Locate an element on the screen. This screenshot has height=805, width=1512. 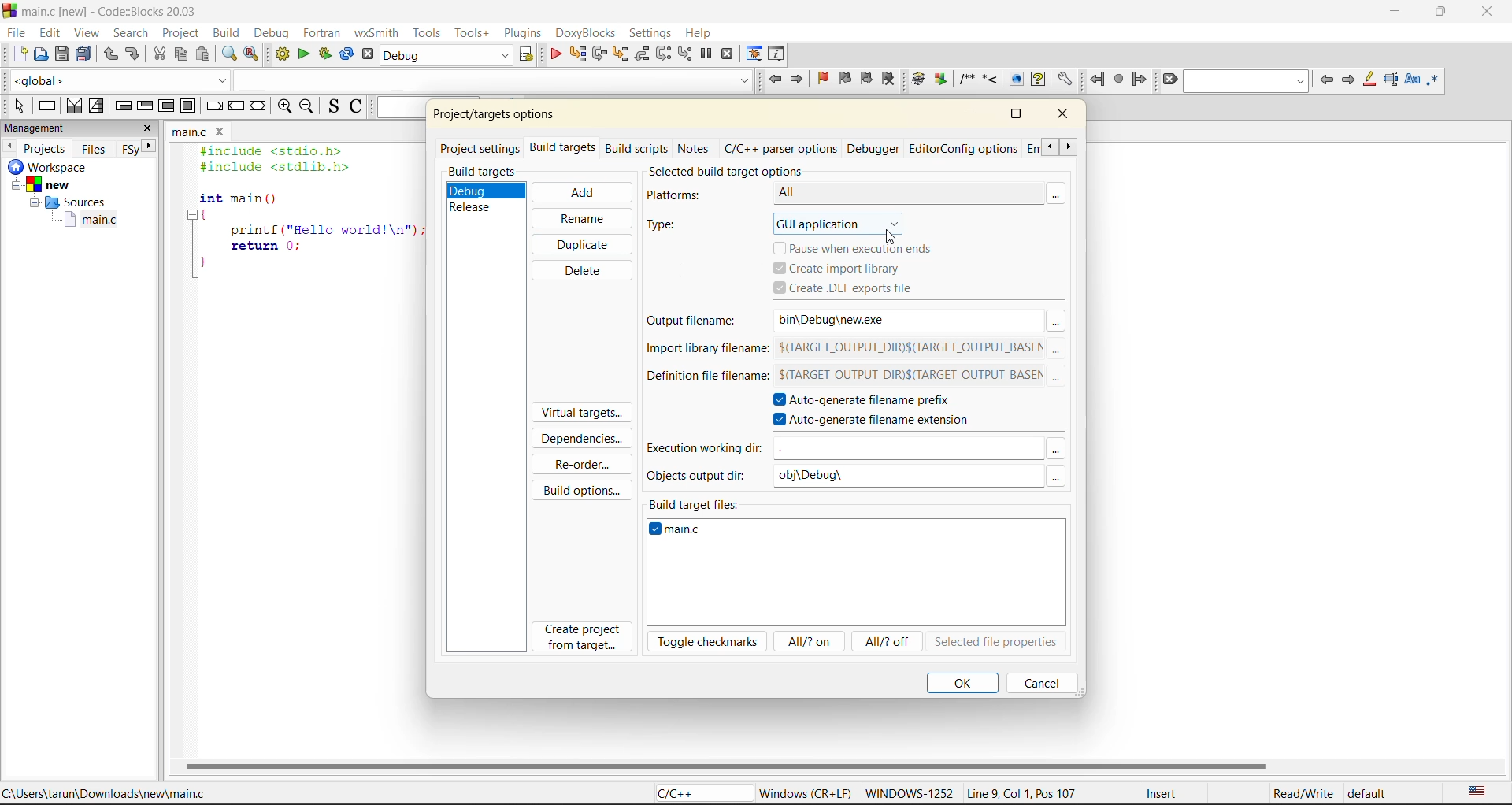
More is located at coordinates (1058, 350).